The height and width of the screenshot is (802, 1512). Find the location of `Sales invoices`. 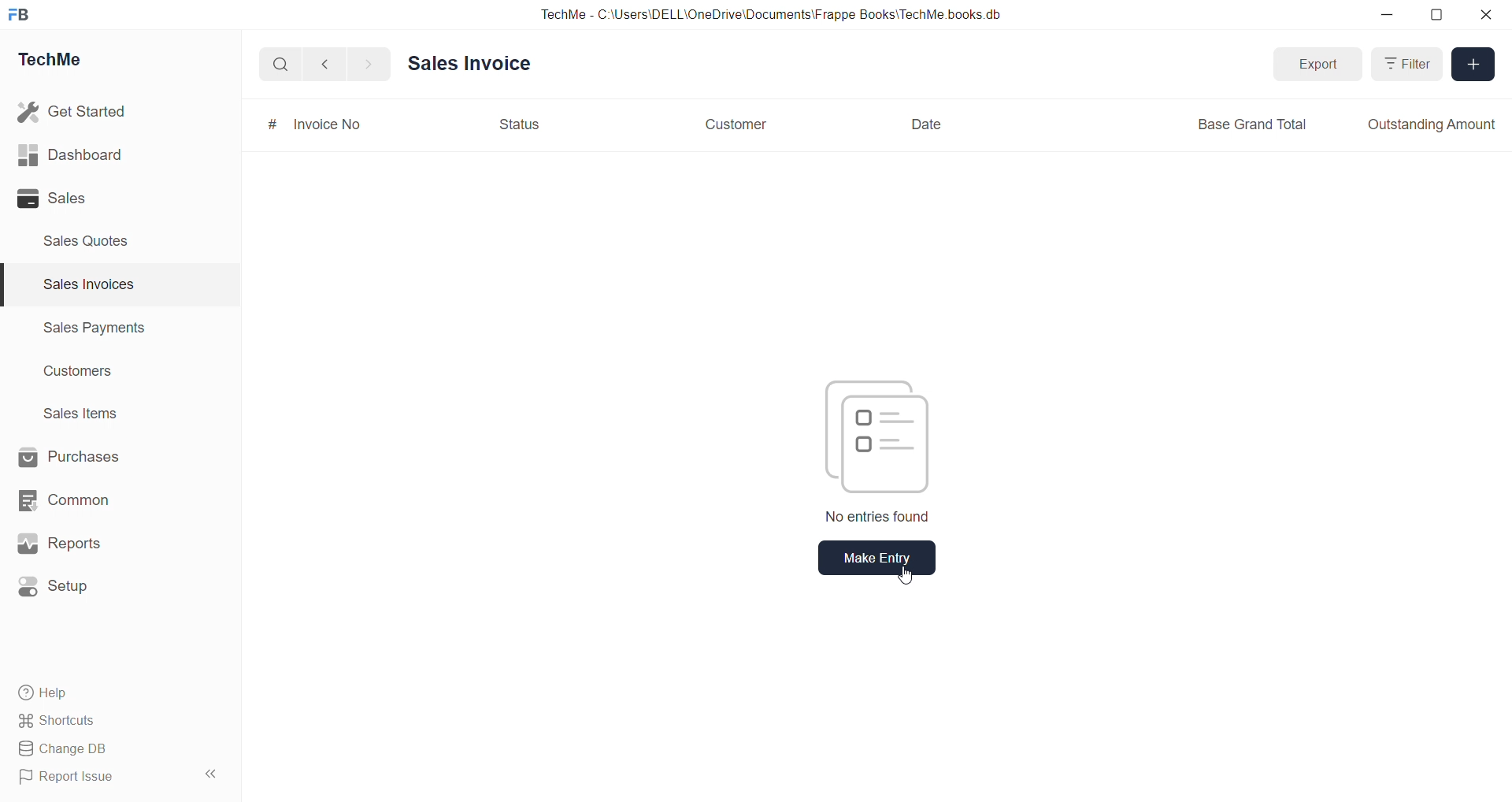

Sales invoices is located at coordinates (87, 284).